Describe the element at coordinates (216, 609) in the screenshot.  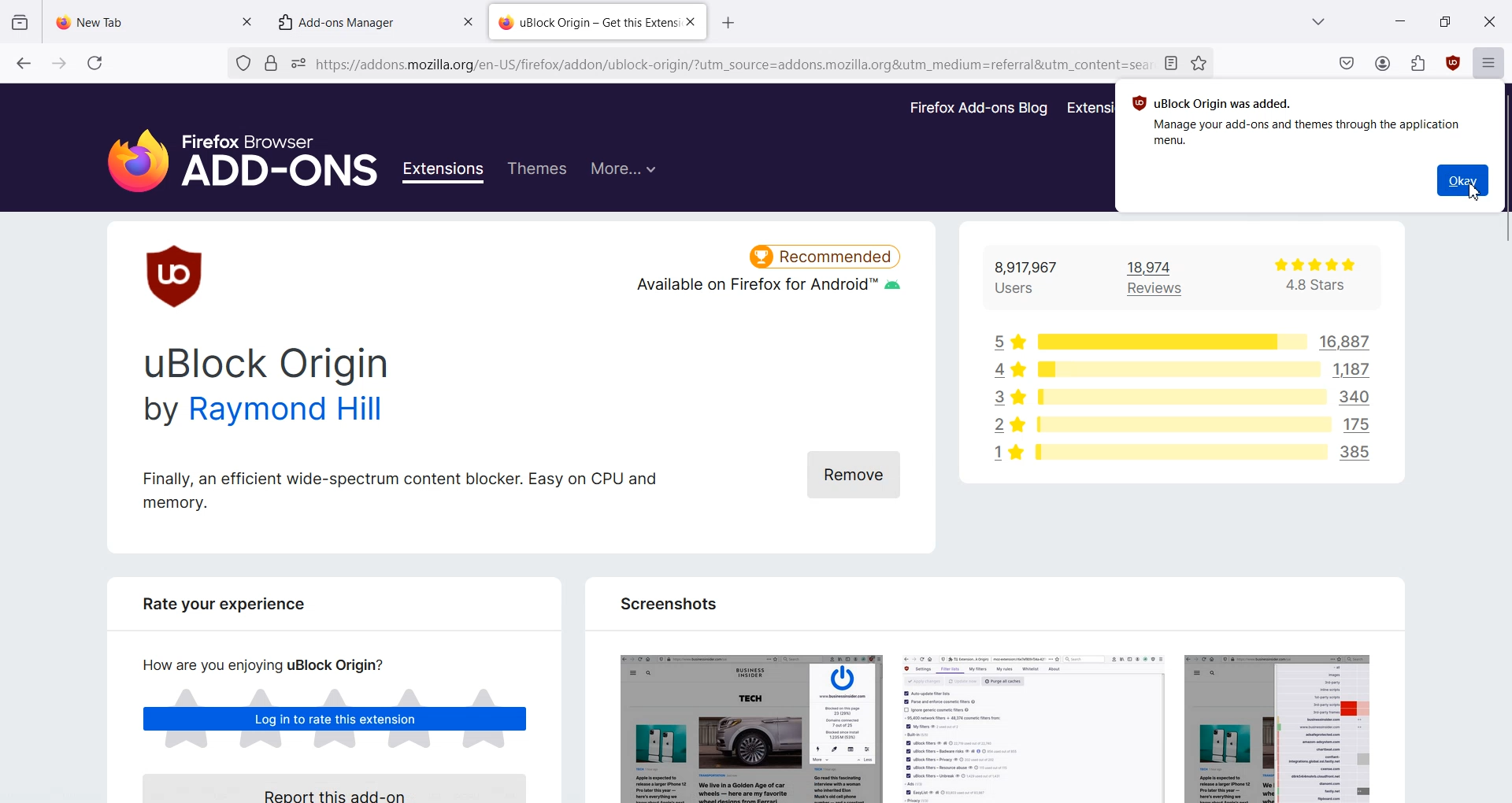
I see `Rate your experience` at that location.